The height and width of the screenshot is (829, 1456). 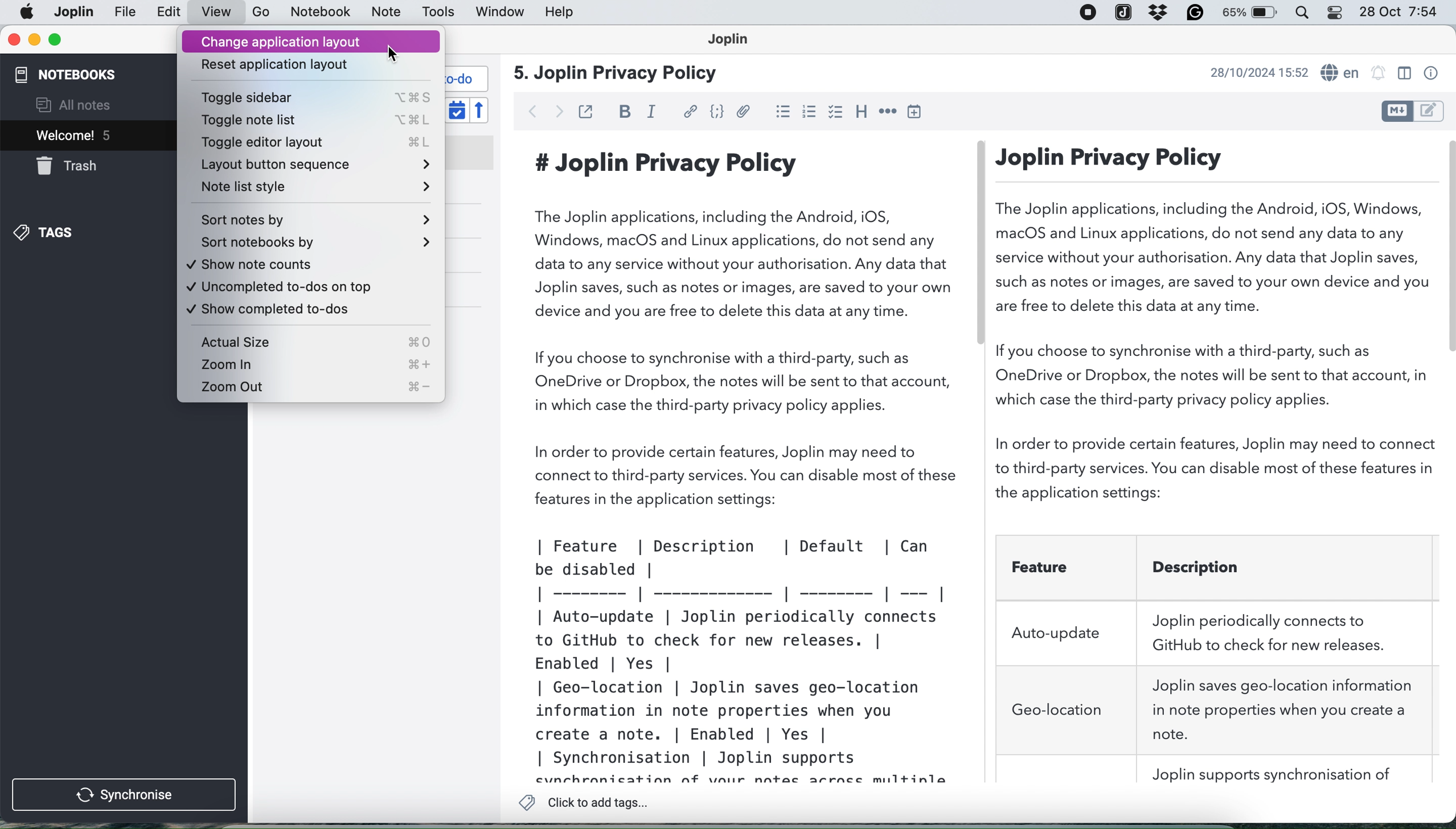 I want to click on close, so click(x=13, y=40).